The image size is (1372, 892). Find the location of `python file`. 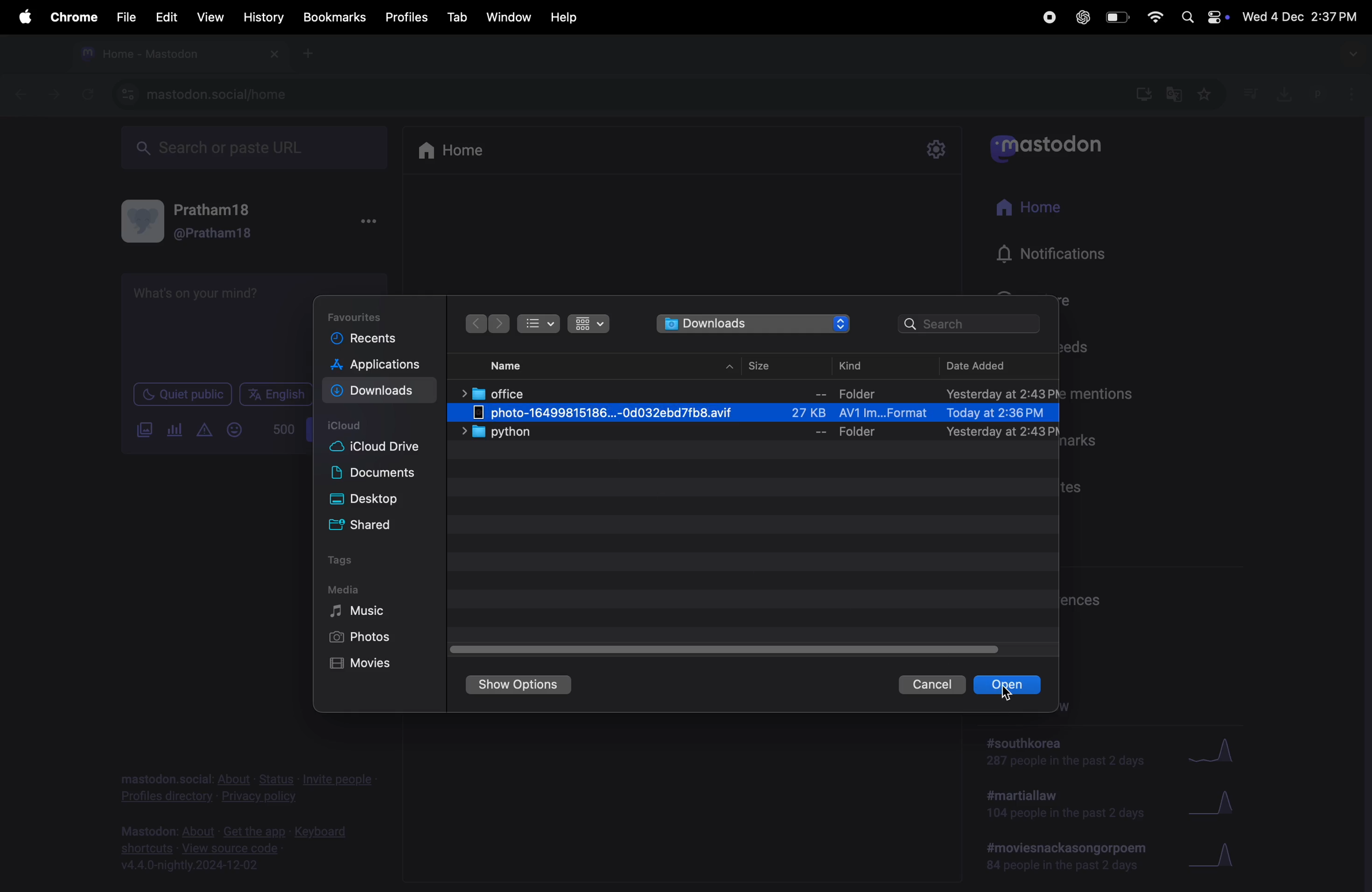

python file is located at coordinates (754, 433).